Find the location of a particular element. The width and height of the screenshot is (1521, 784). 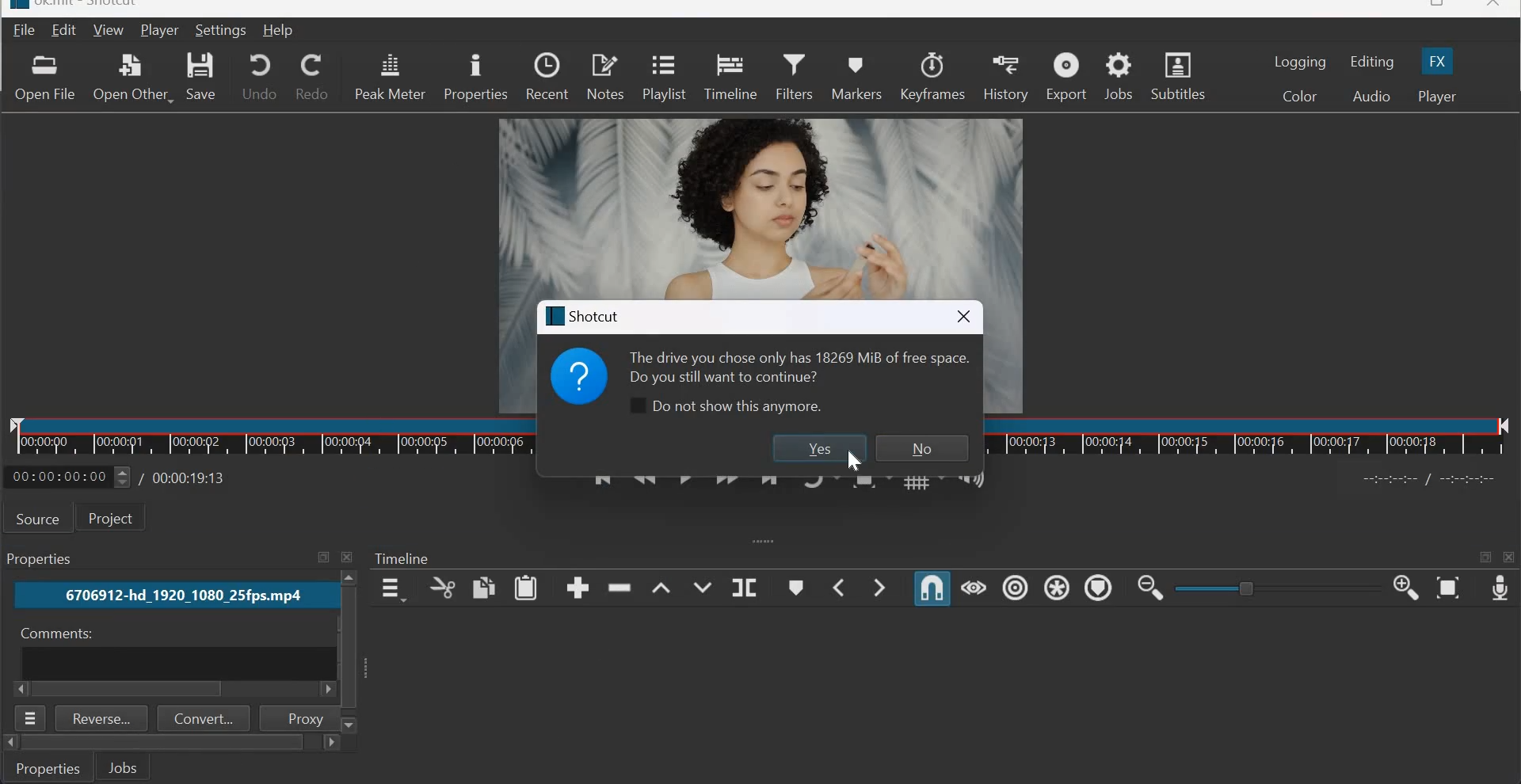

Properties is located at coordinates (49, 767).